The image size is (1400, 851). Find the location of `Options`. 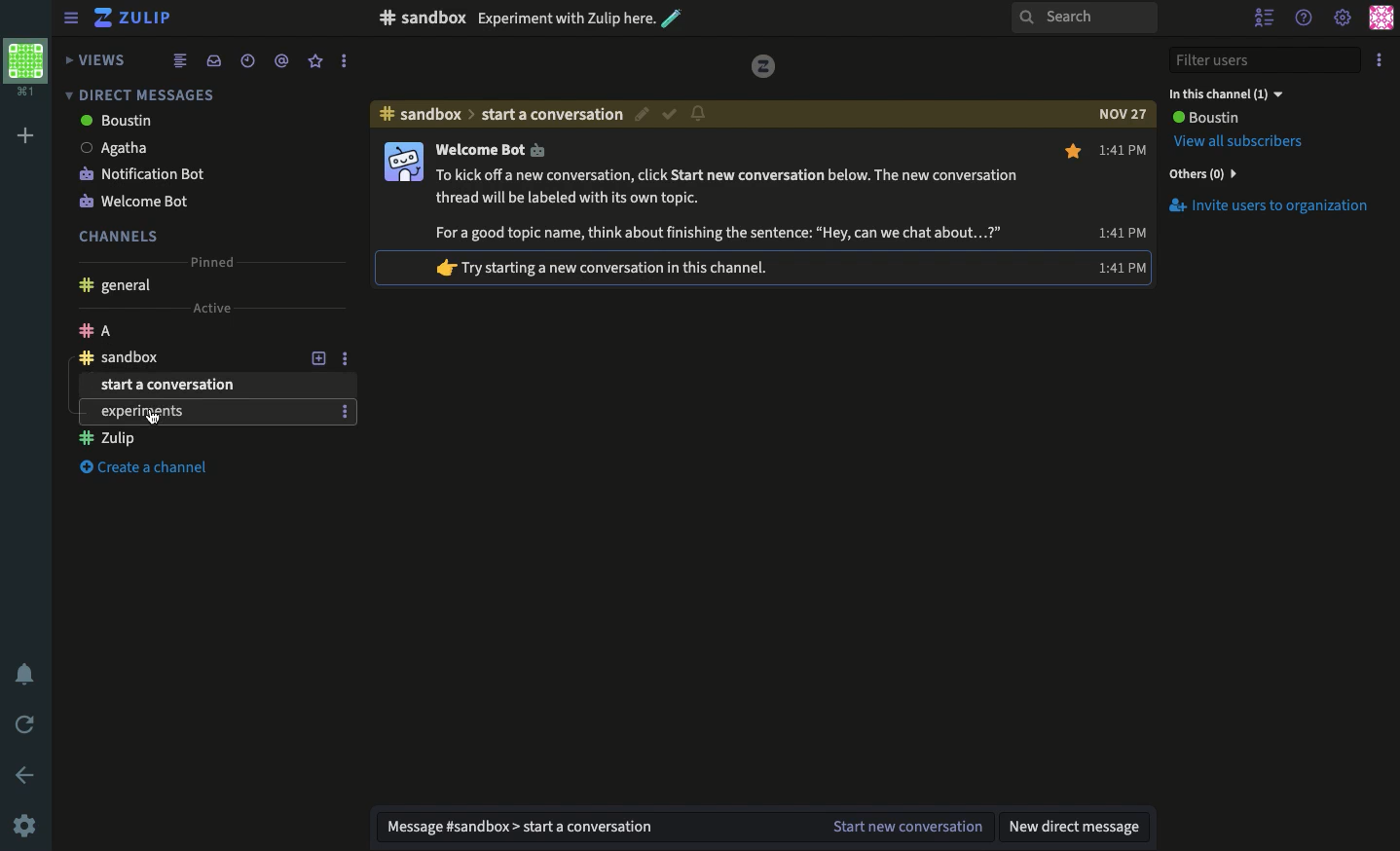

Options is located at coordinates (343, 61).